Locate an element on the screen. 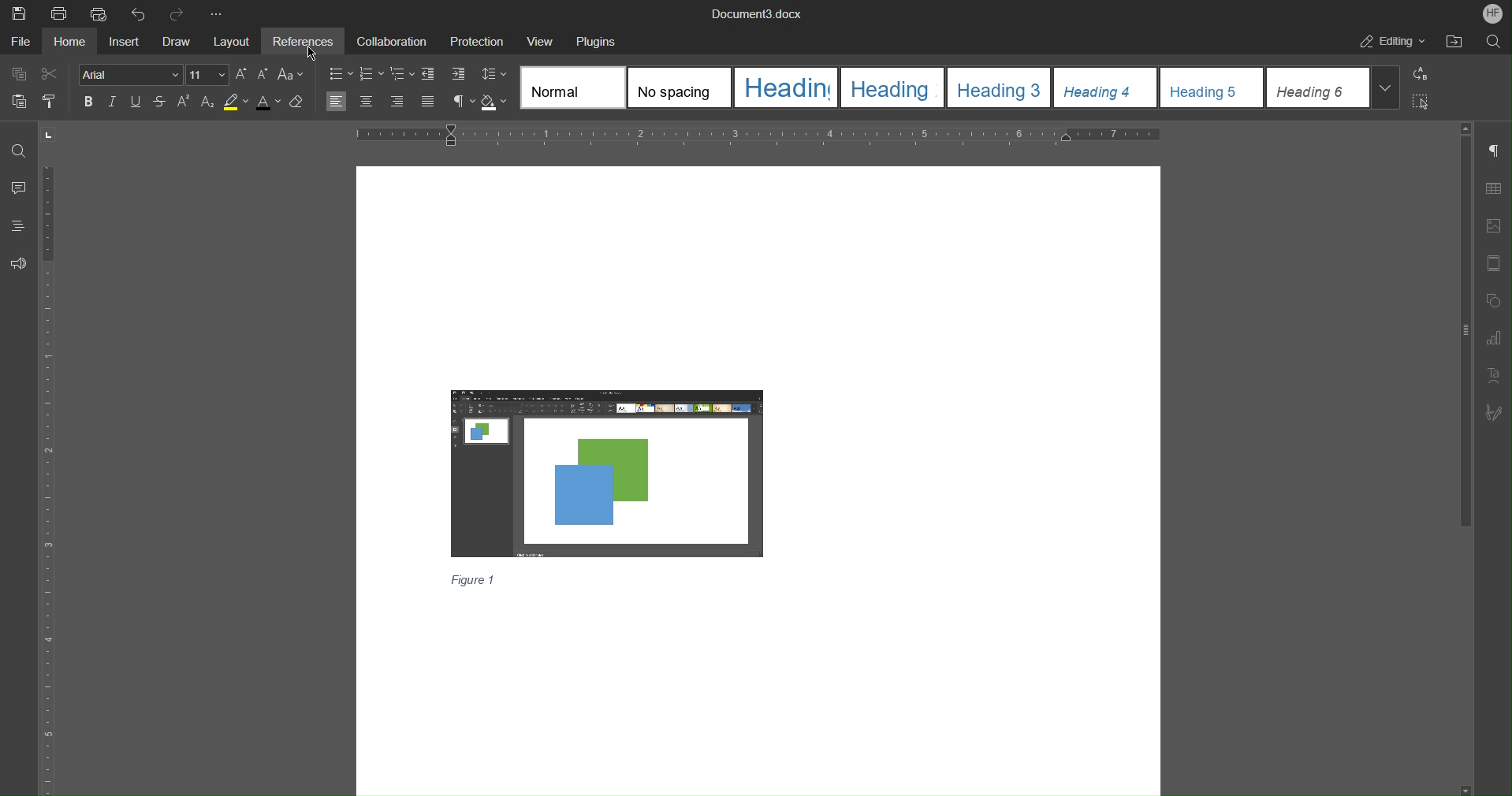 This screenshot has width=1512, height=796. Superscript is located at coordinates (184, 101).